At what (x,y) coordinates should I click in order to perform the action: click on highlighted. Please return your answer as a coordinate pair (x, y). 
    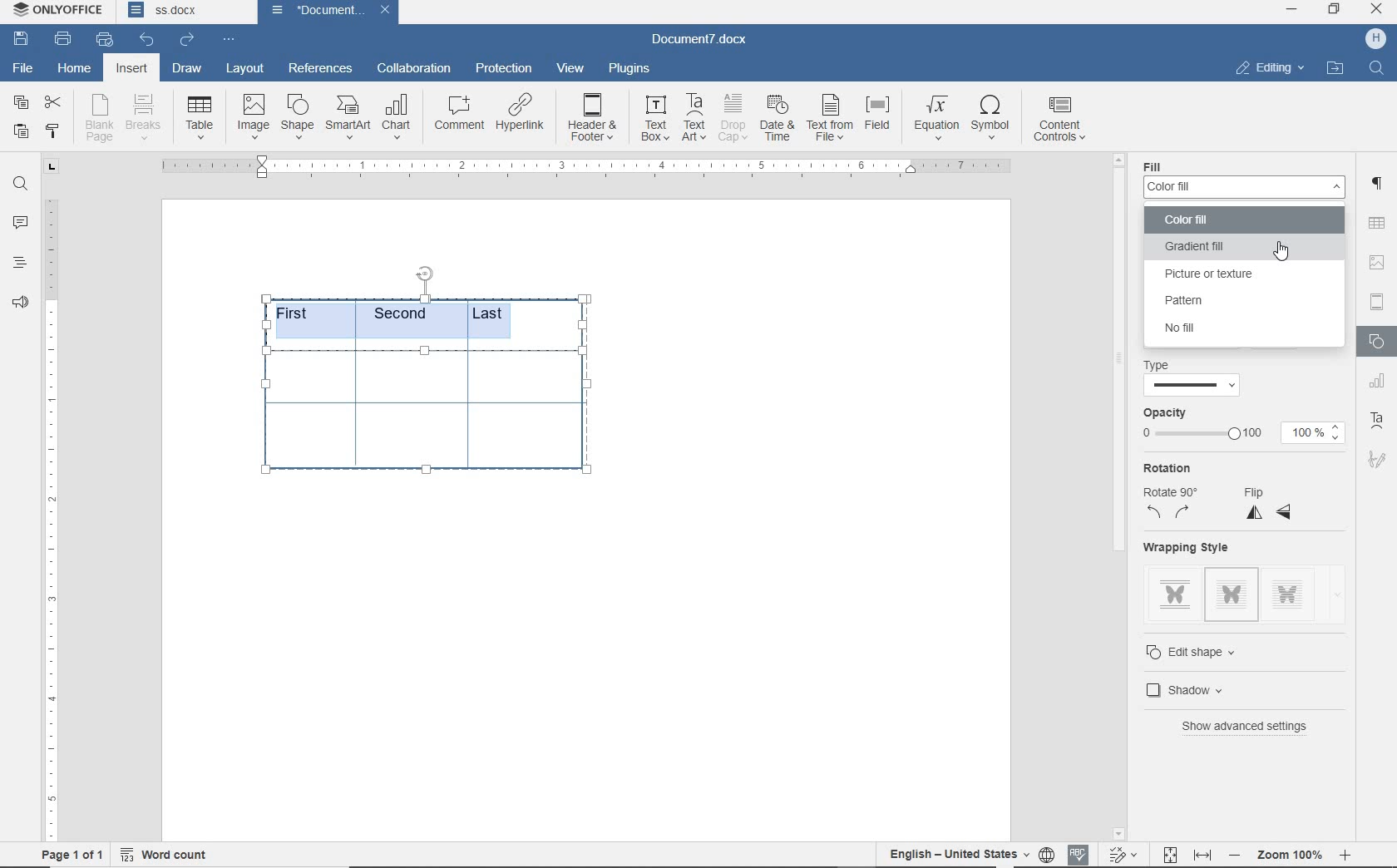
    Looking at the image, I should click on (398, 318).